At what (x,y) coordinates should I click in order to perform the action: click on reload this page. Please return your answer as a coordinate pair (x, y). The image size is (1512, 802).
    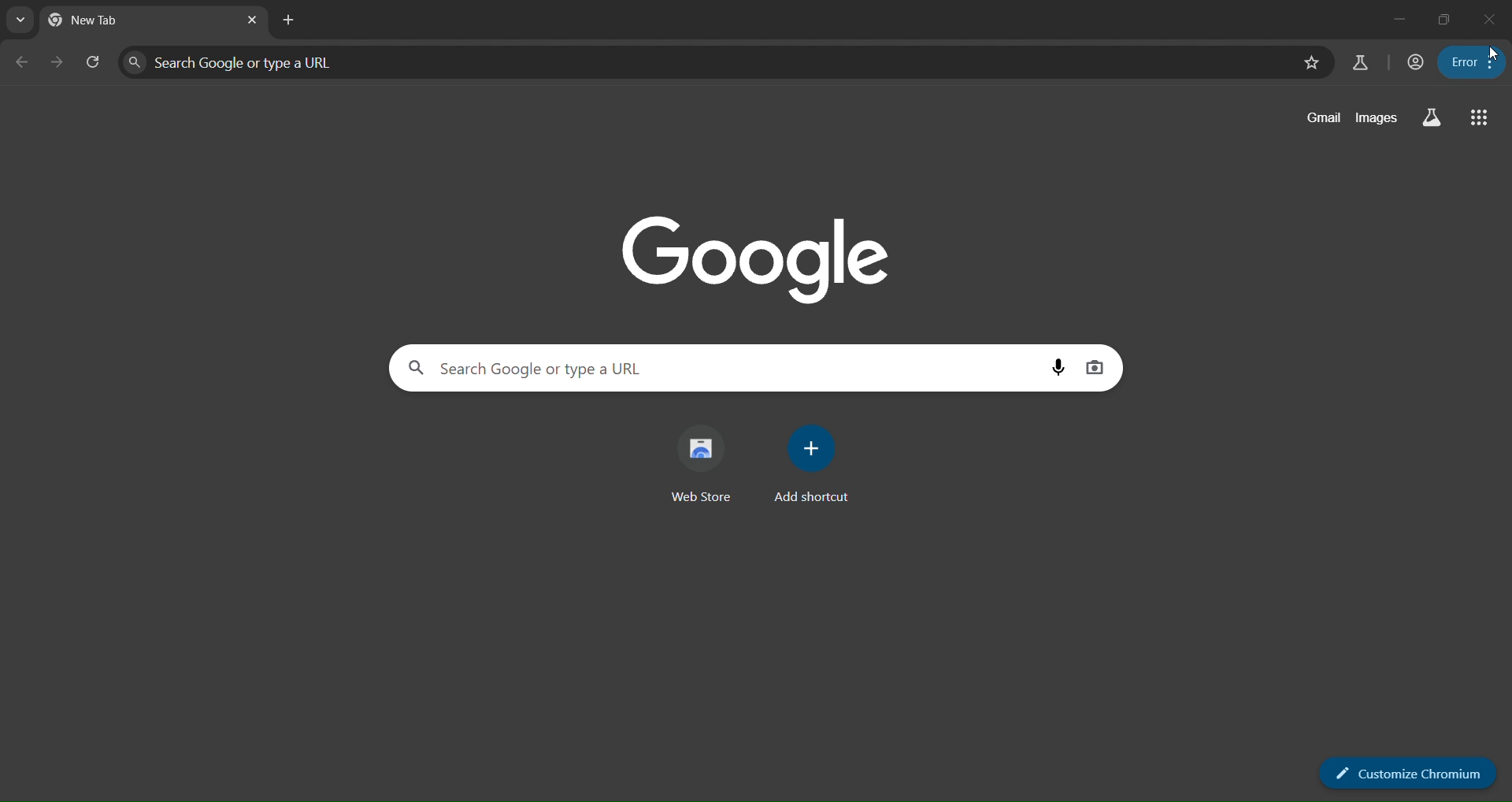
    Looking at the image, I should click on (98, 60).